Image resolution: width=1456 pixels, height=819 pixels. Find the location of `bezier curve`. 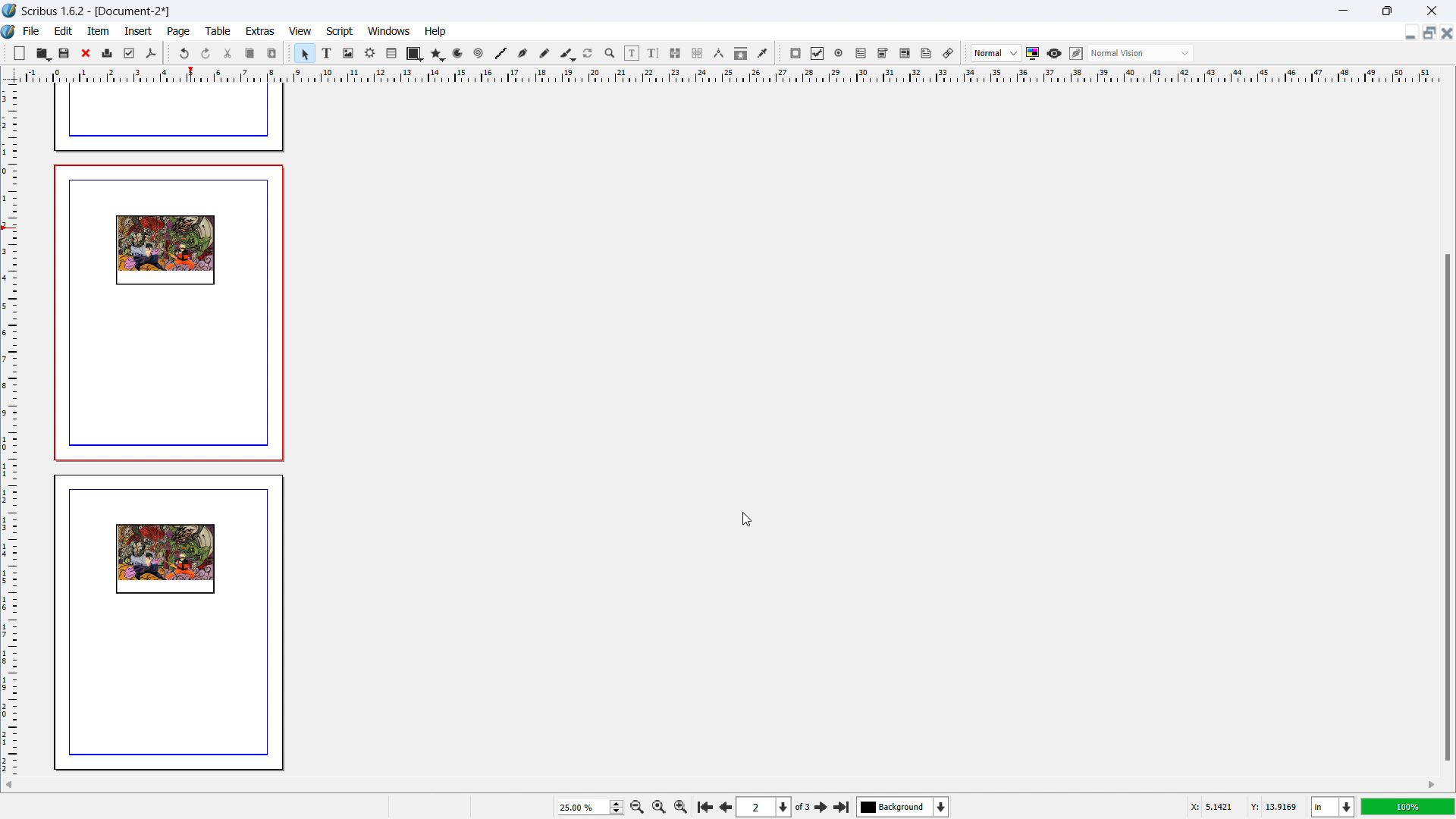

bezier curve is located at coordinates (522, 54).